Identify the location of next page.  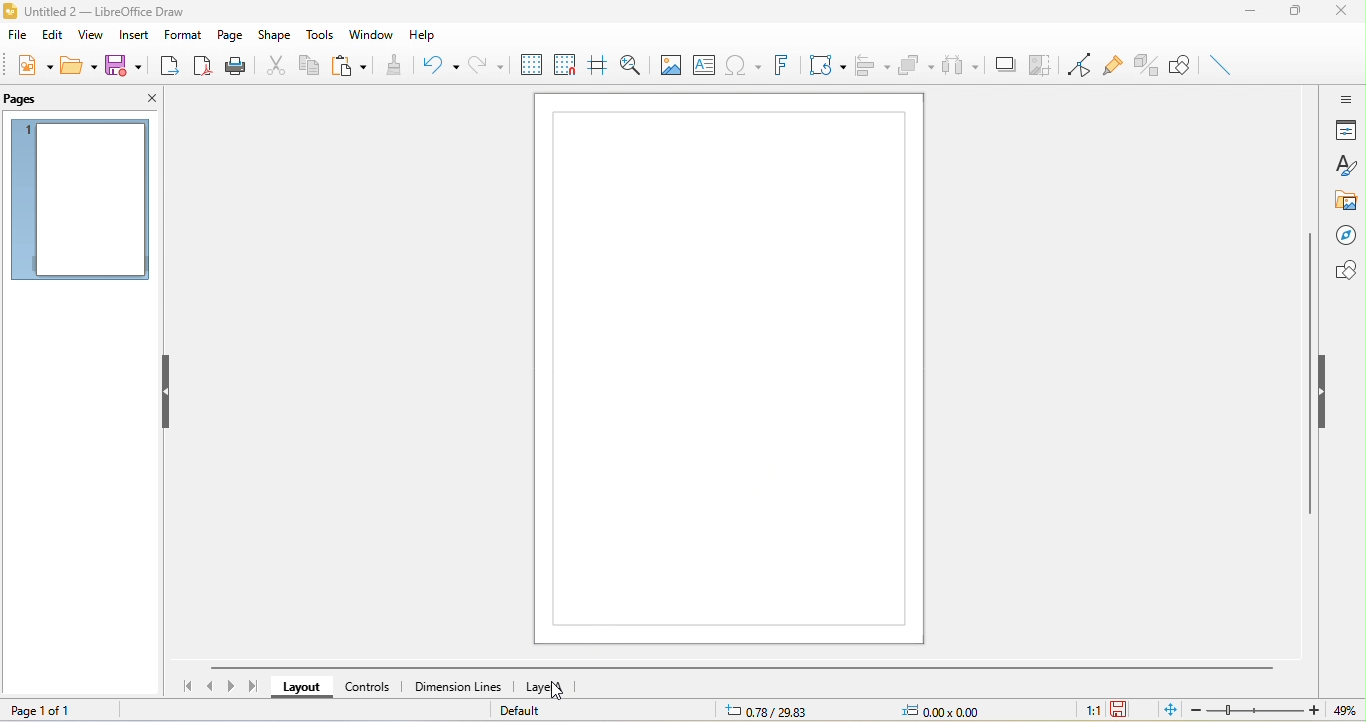
(231, 686).